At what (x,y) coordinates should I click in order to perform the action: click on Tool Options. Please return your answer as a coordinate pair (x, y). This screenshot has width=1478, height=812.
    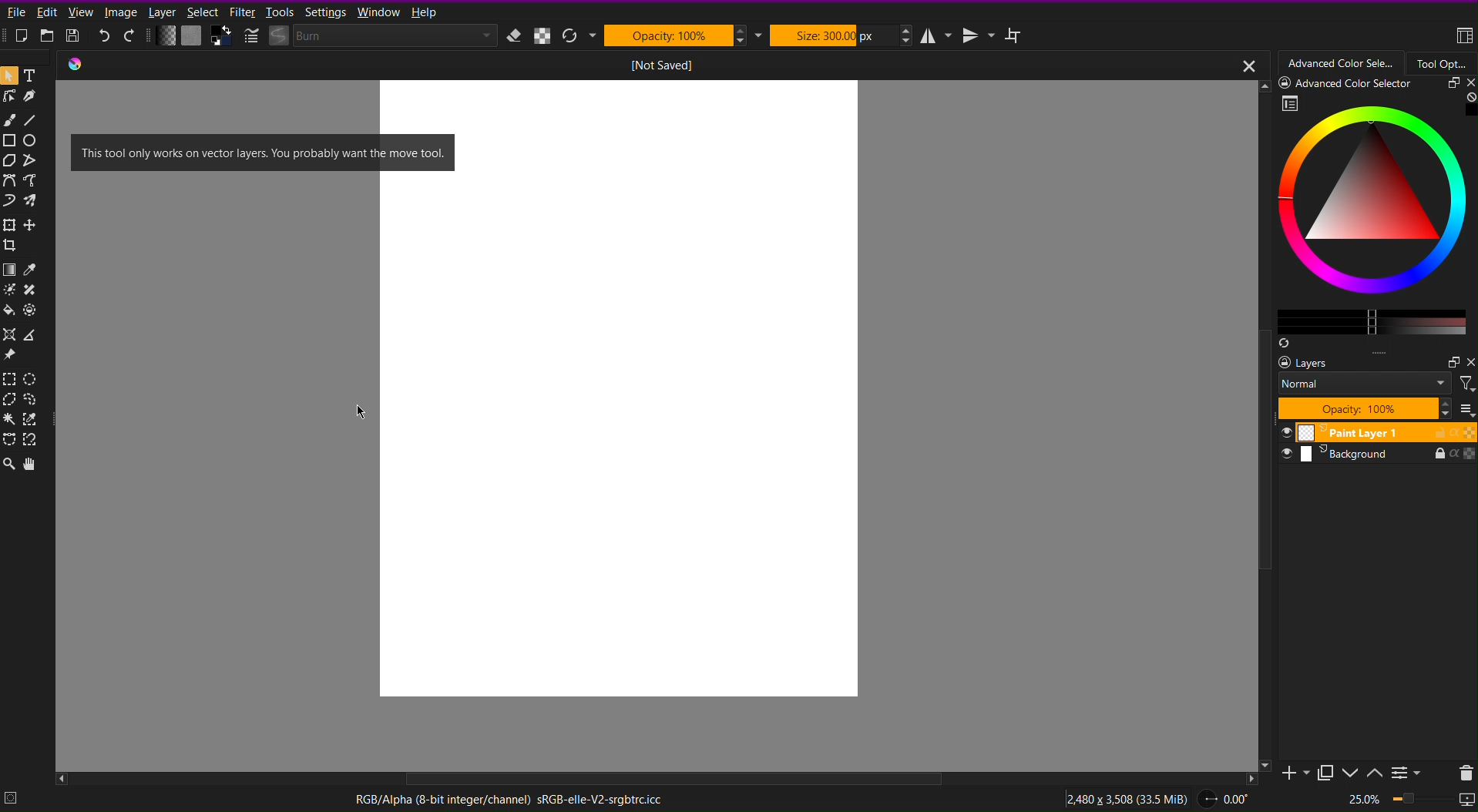
    Looking at the image, I should click on (1442, 63).